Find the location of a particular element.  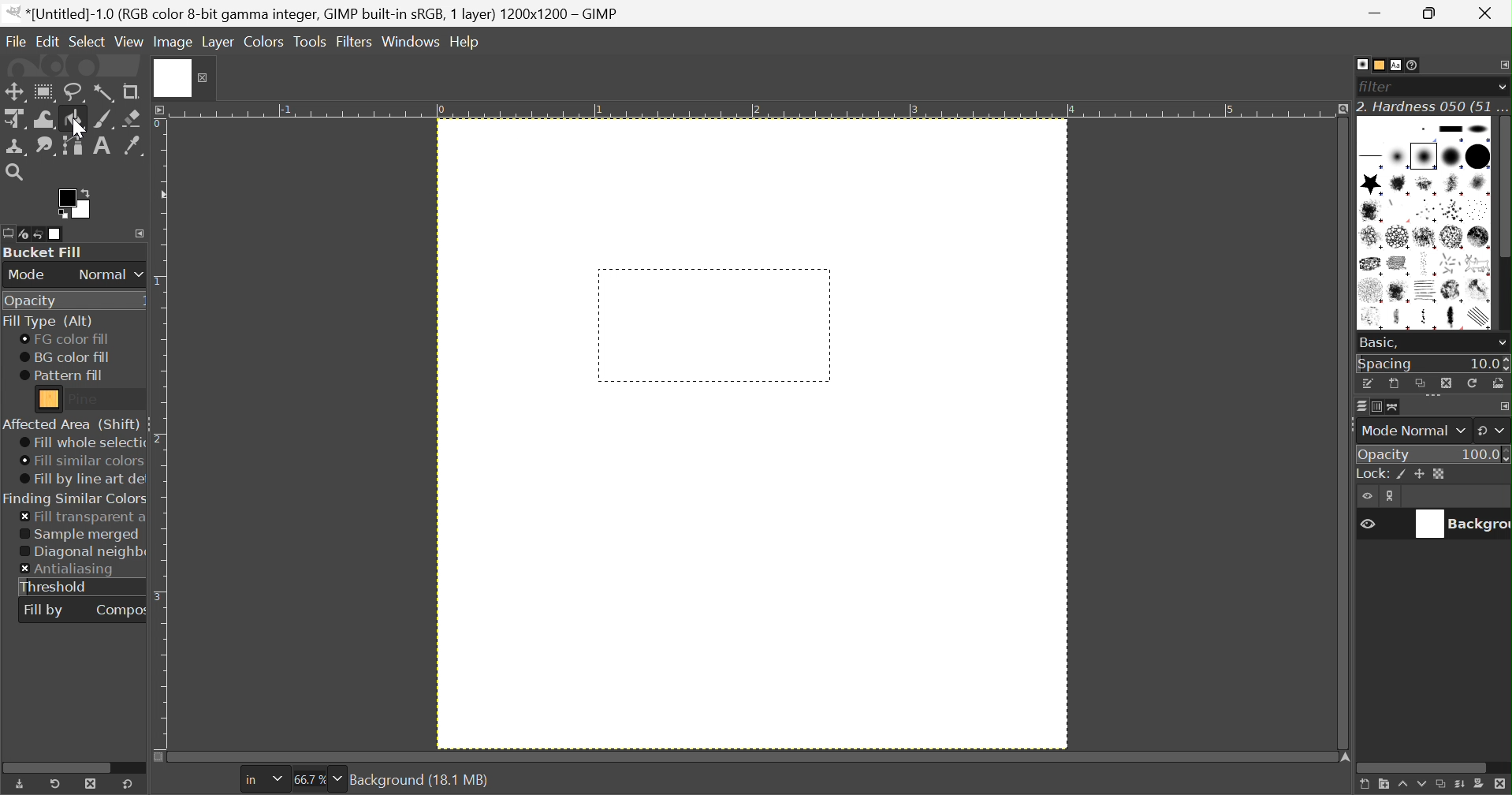

 is located at coordinates (1451, 129).